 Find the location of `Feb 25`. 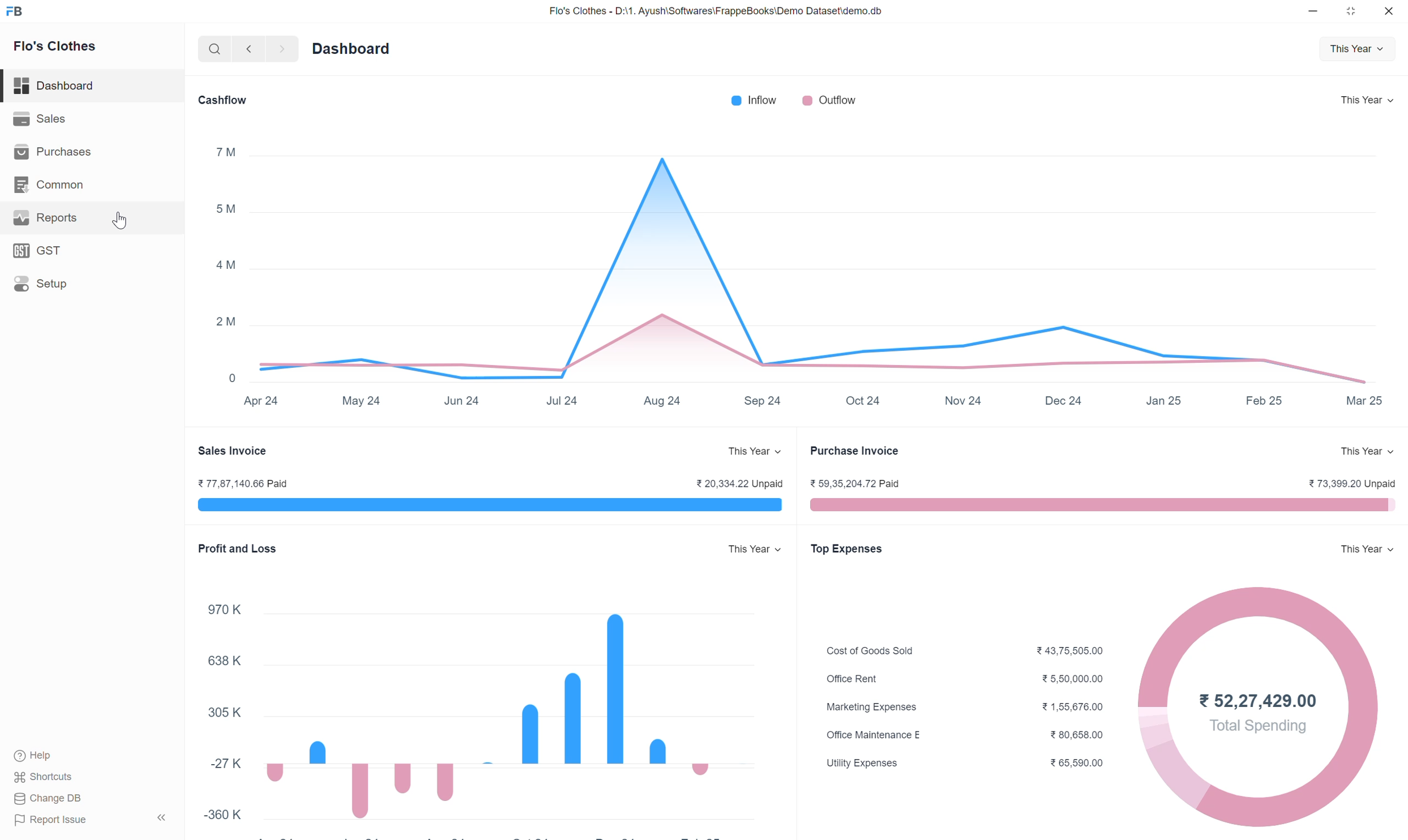

Feb 25 is located at coordinates (1259, 401).